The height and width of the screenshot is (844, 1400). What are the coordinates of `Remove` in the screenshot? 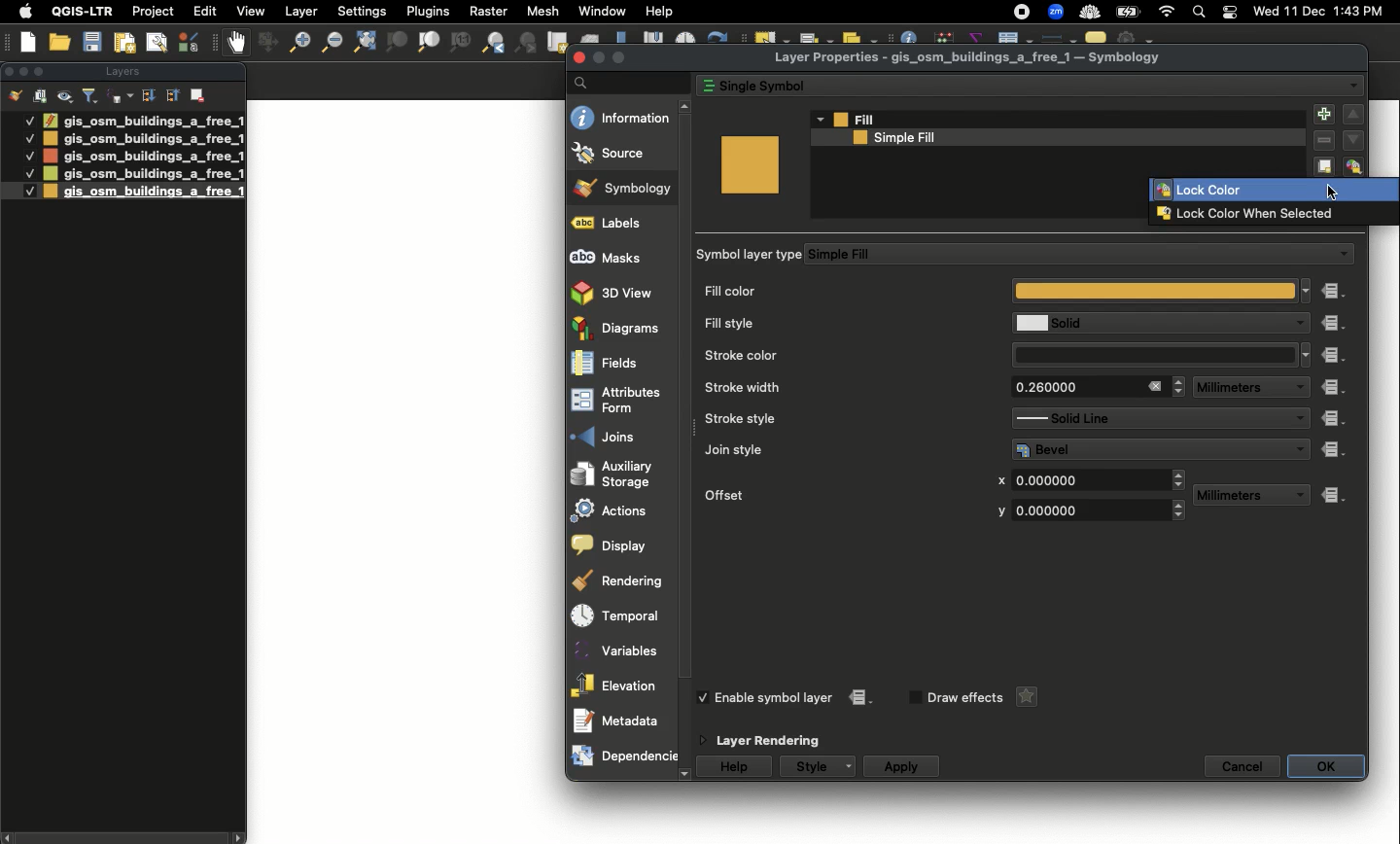 It's located at (199, 93).